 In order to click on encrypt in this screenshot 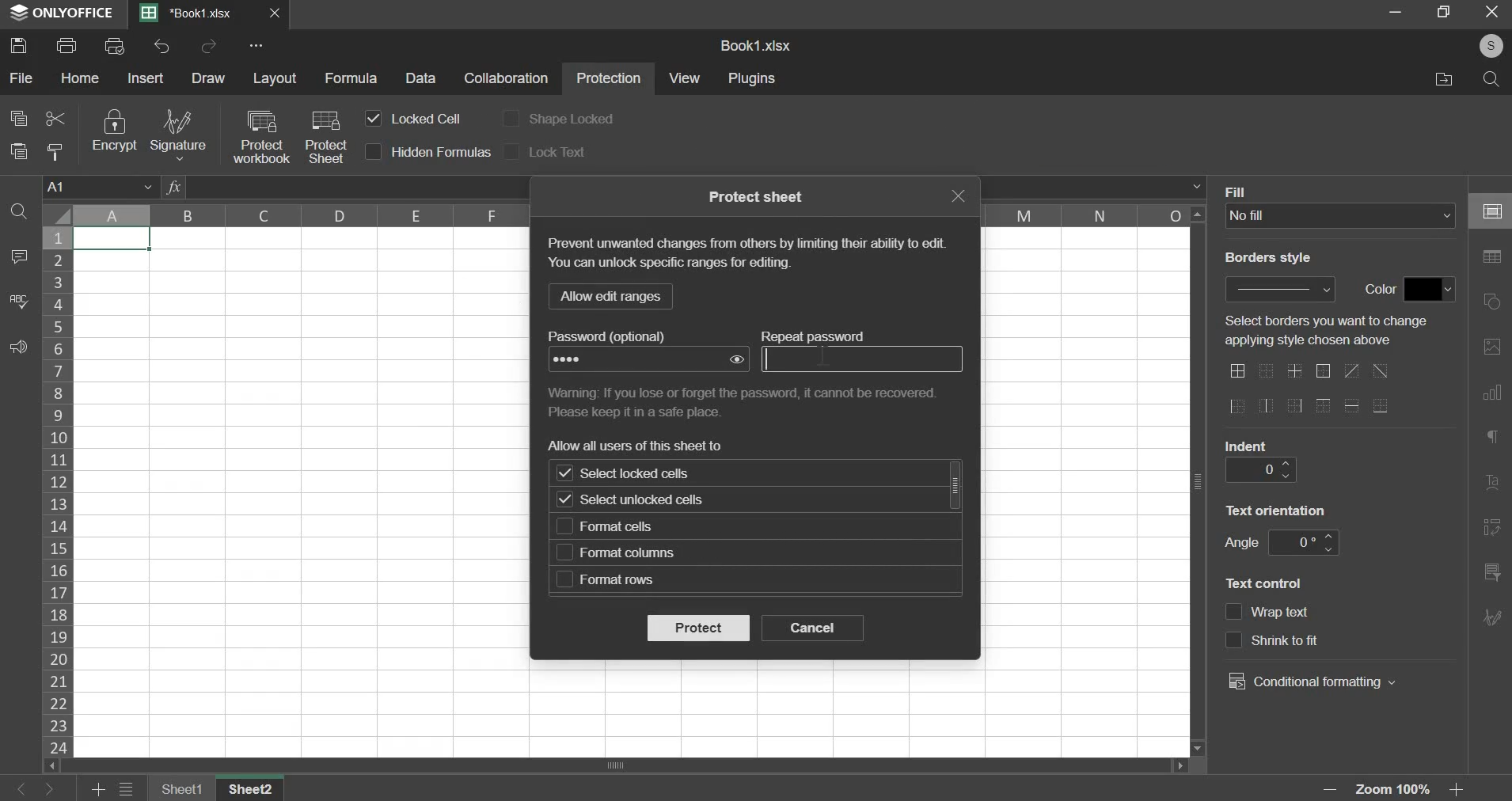, I will do `click(113, 131)`.